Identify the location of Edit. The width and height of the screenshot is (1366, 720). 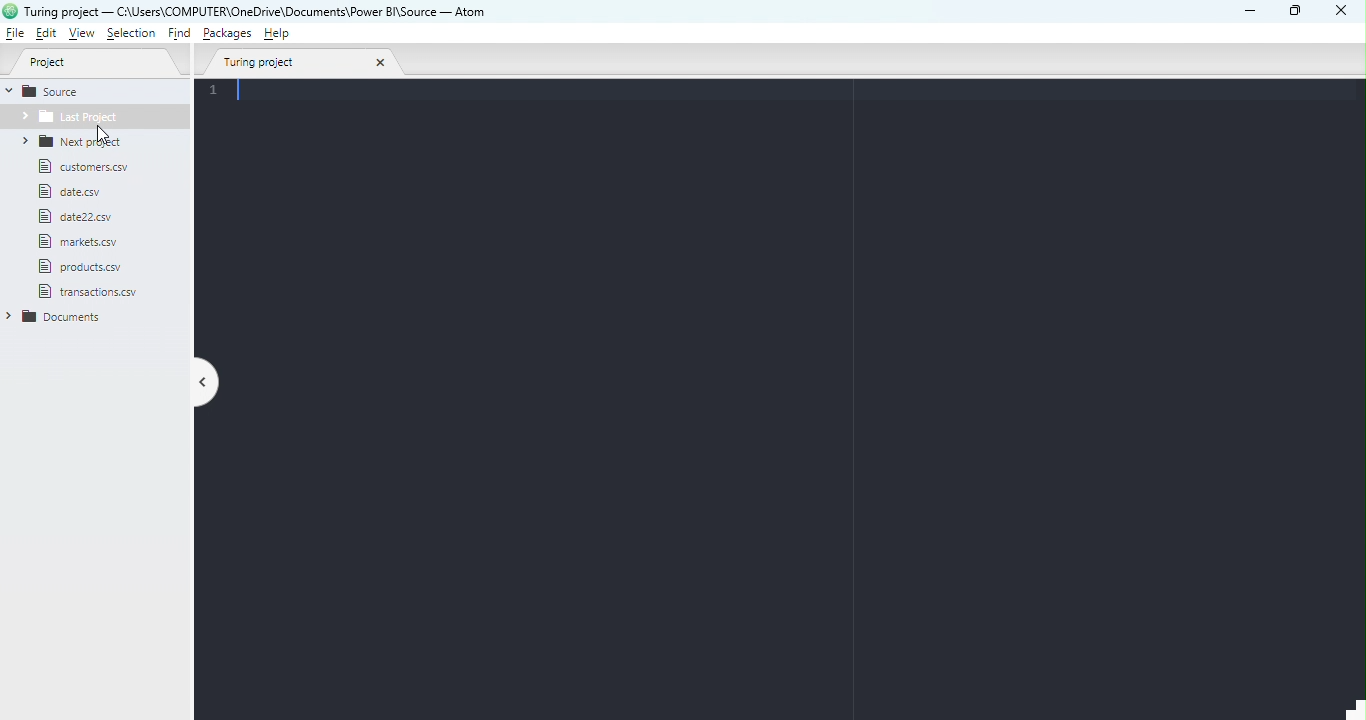
(47, 34).